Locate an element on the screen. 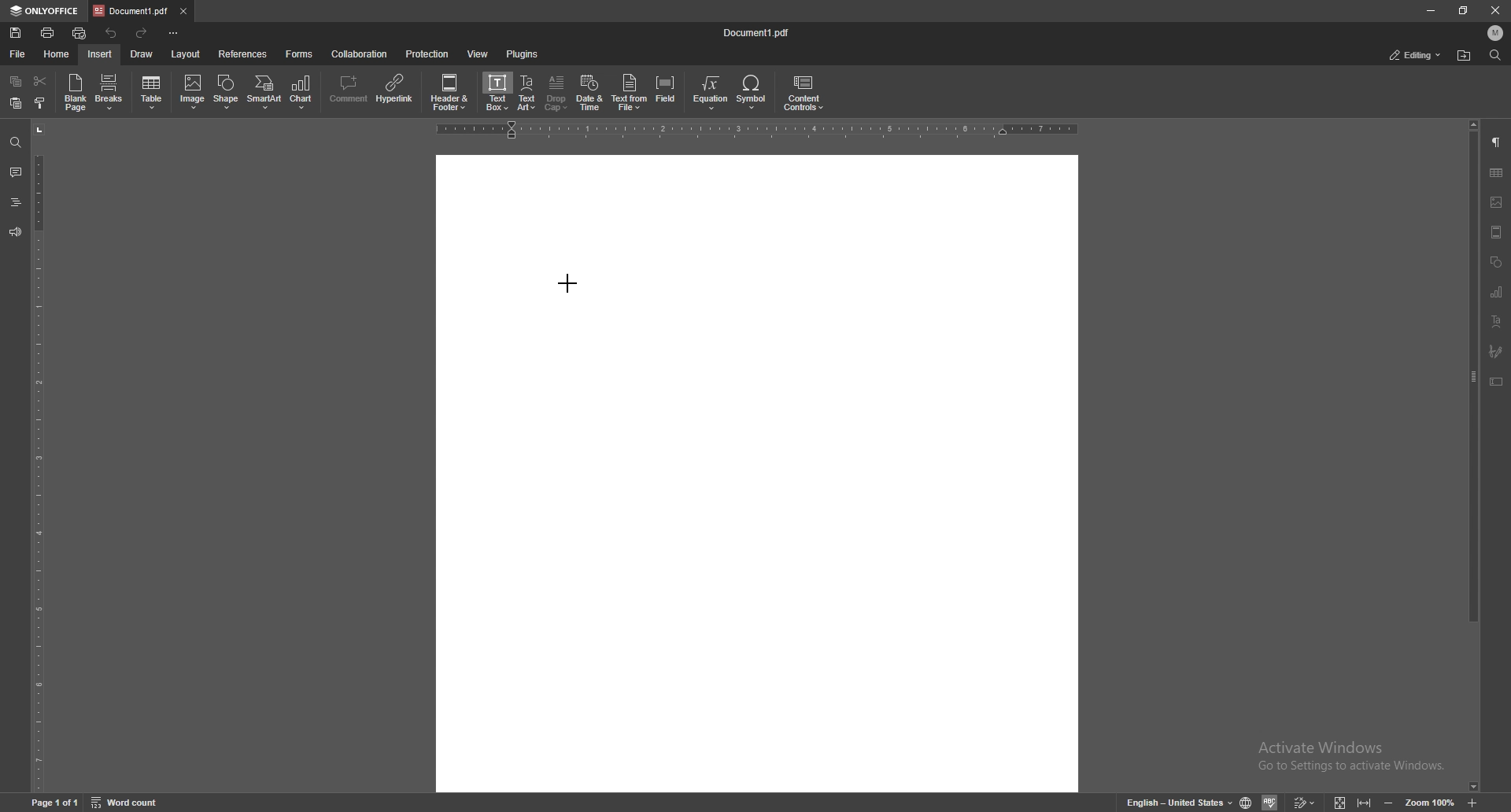 The image size is (1511, 812). onlyoffice is located at coordinates (45, 12).